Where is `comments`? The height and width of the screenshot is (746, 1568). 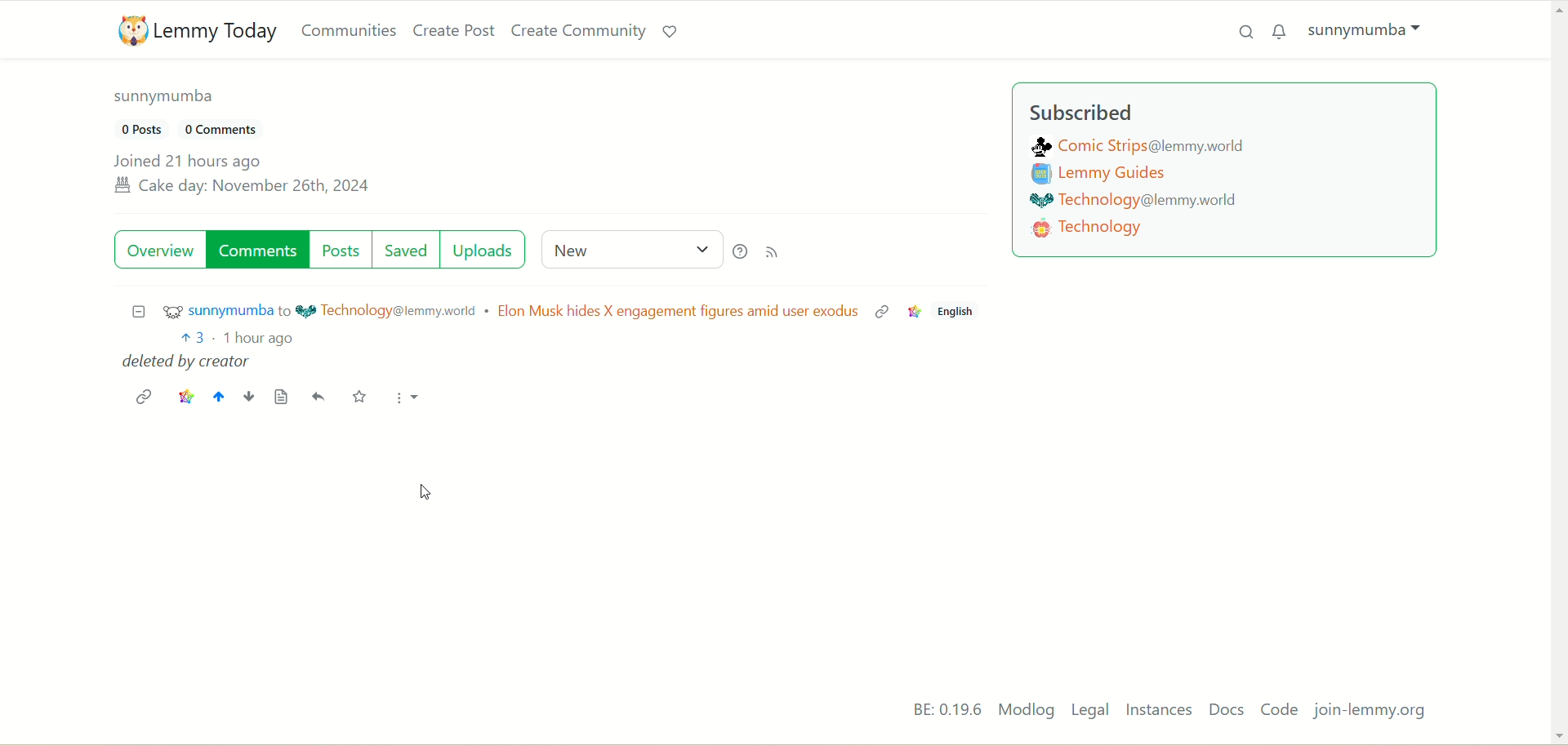
comments is located at coordinates (257, 251).